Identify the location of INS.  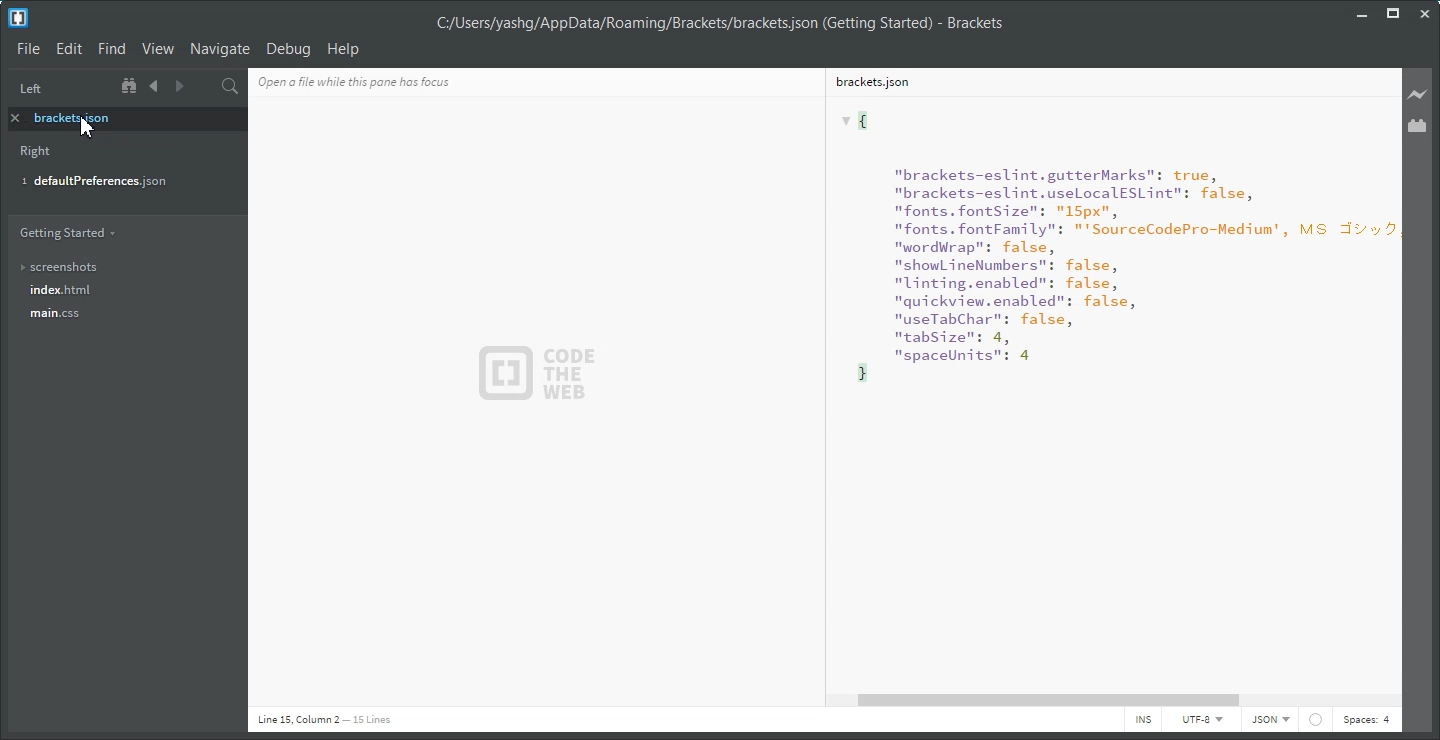
(1143, 721).